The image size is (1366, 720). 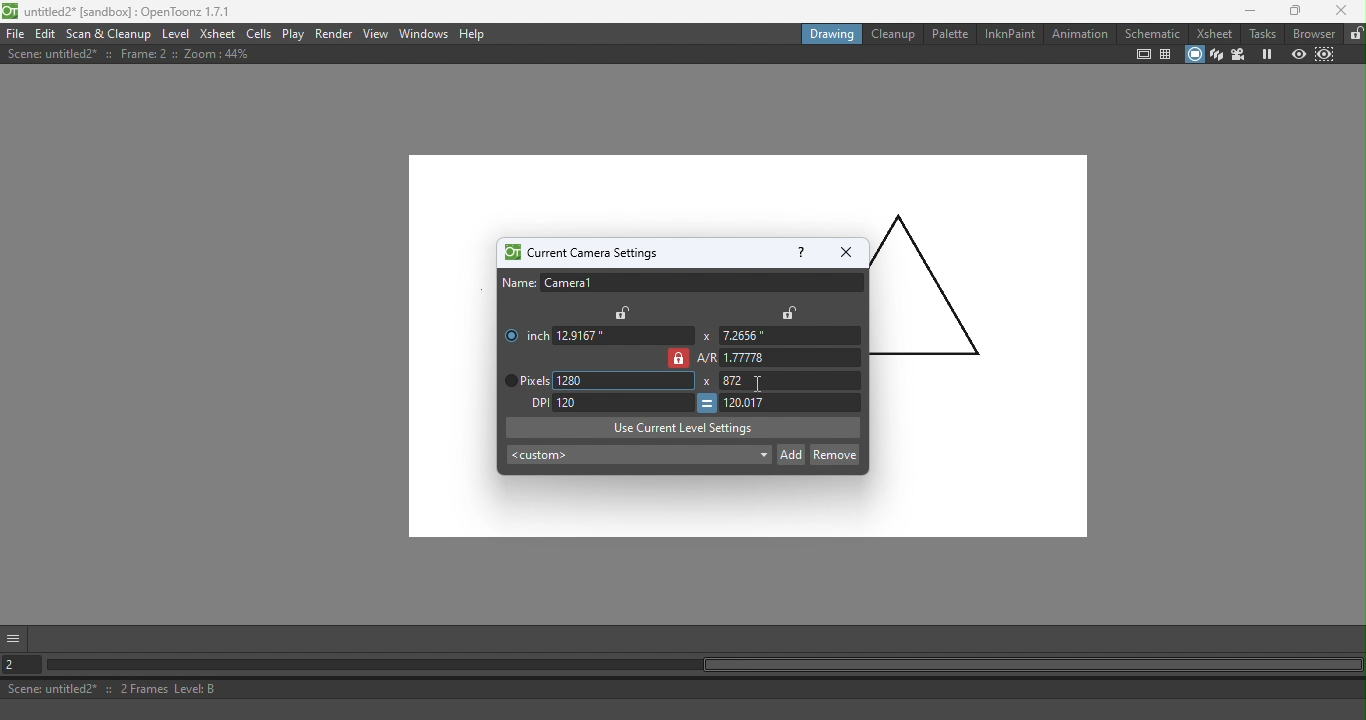 I want to click on untitled2* [sandbox] : OpenToonz 1.7.1, so click(x=120, y=11).